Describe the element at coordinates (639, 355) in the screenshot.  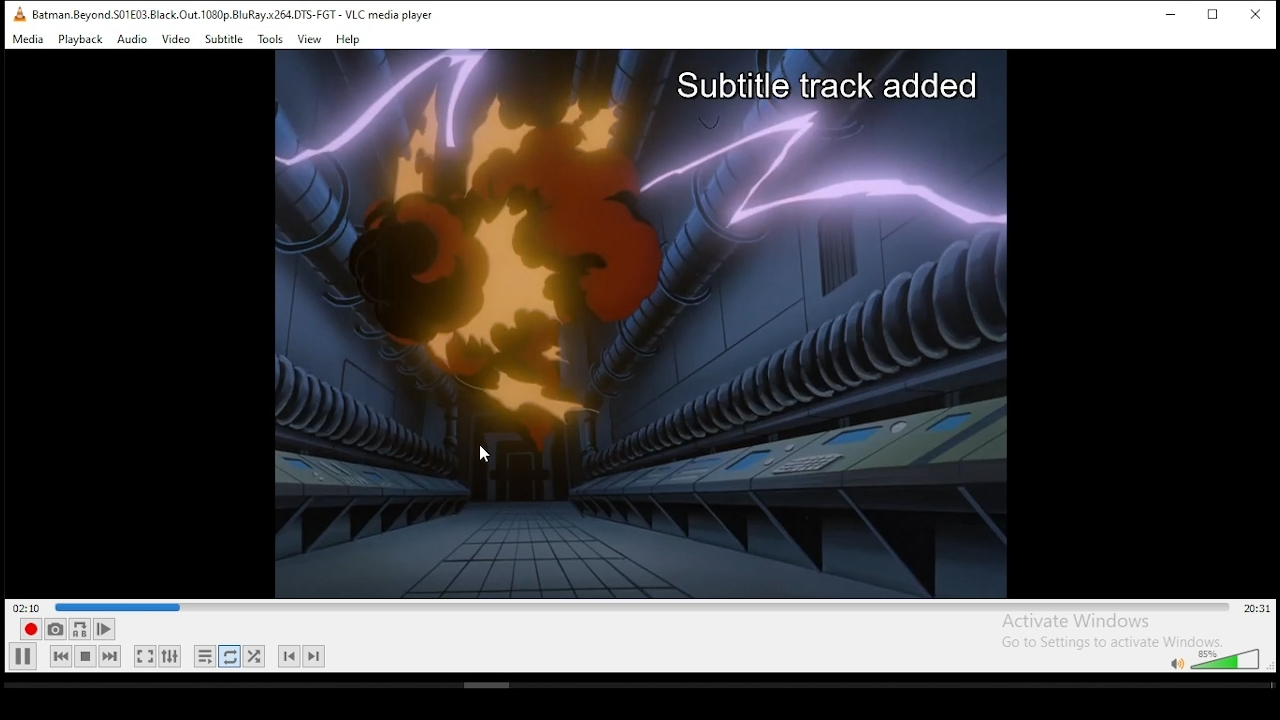
I see `video preview` at that location.